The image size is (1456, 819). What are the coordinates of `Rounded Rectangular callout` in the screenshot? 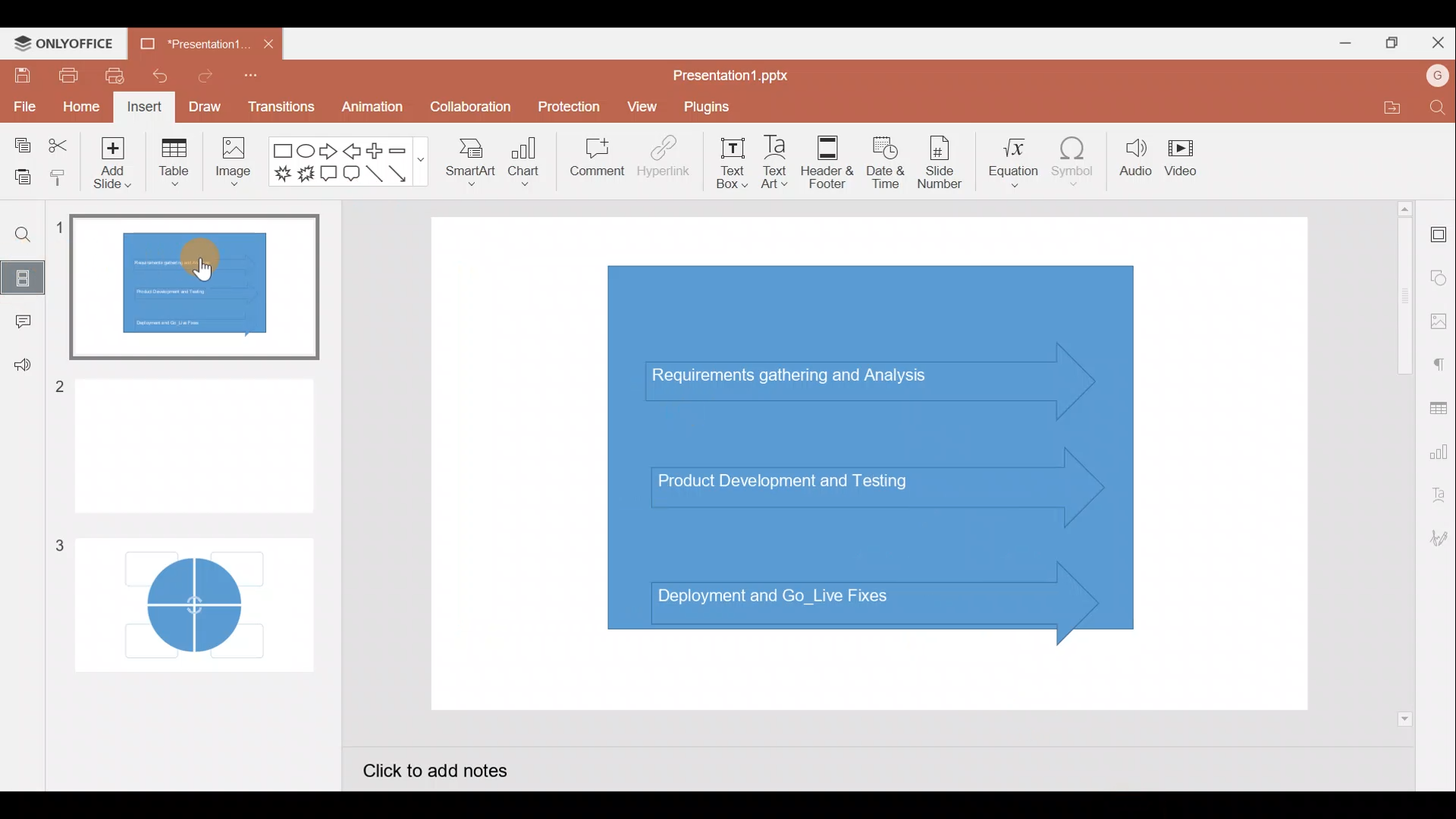 It's located at (351, 176).